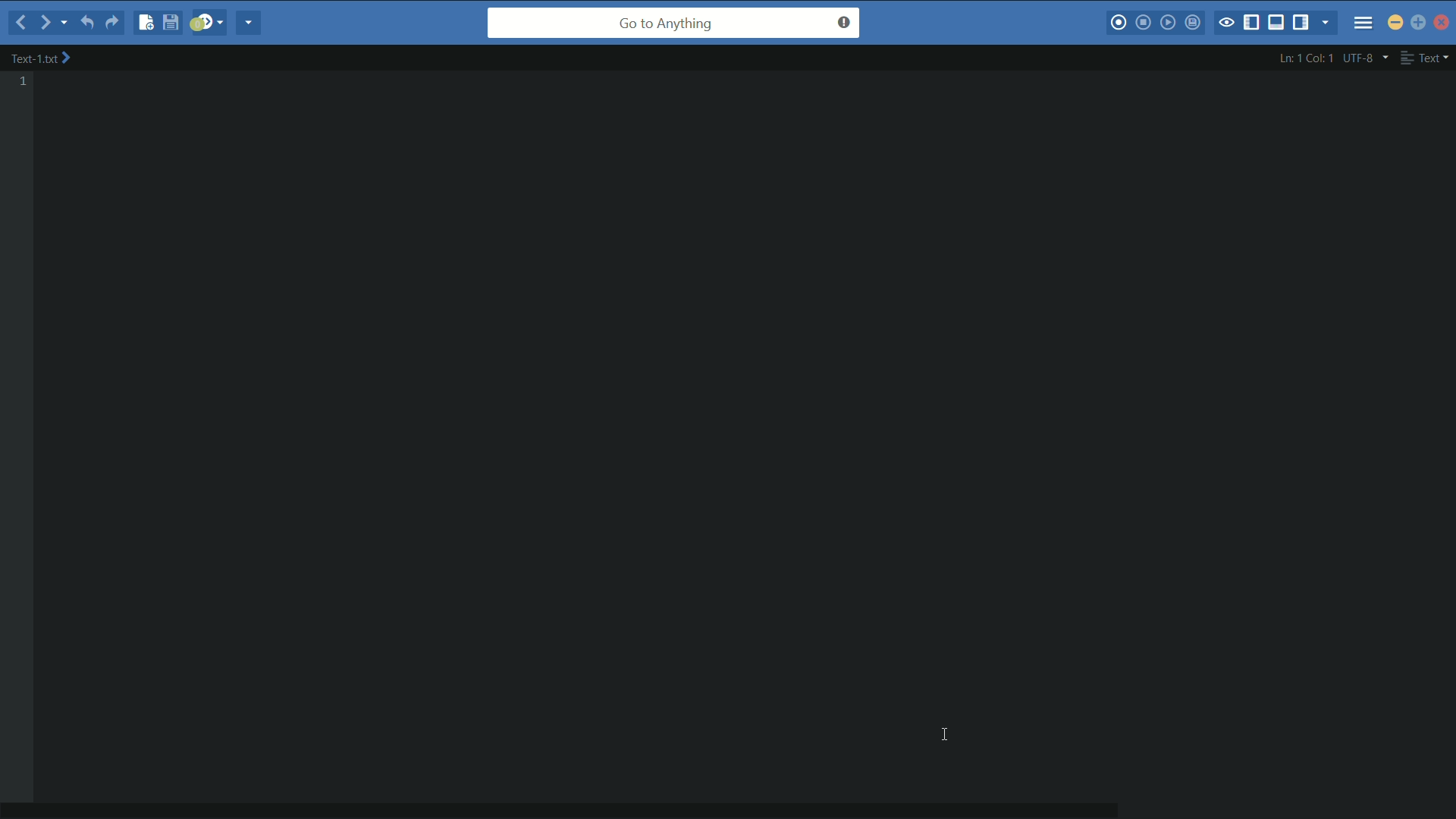 The height and width of the screenshot is (819, 1456). I want to click on show/hide left pane , so click(1252, 21).